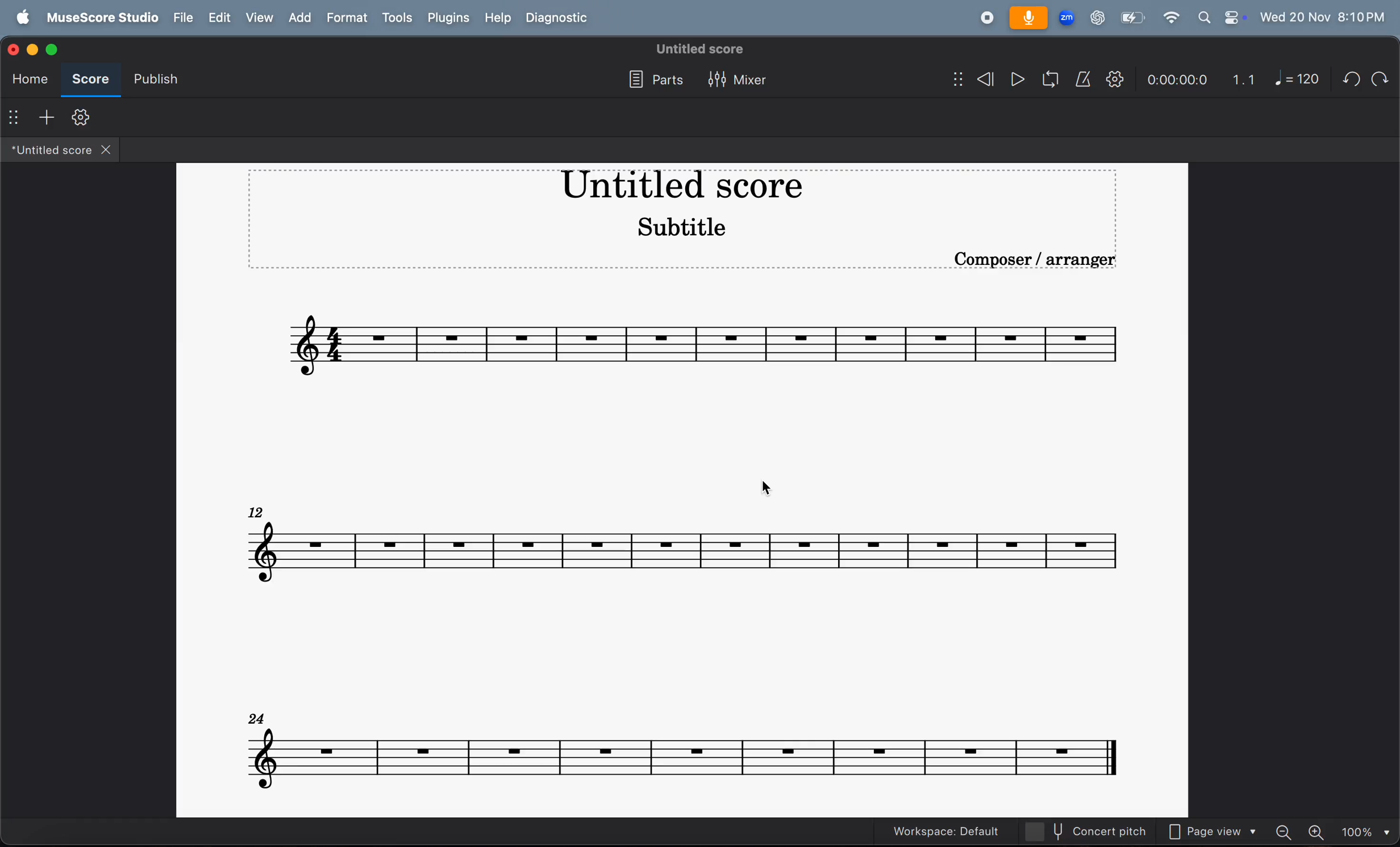 This screenshot has height=847, width=1400. What do you see at coordinates (349, 18) in the screenshot?
I see `format` at bounding box center [349, 18].